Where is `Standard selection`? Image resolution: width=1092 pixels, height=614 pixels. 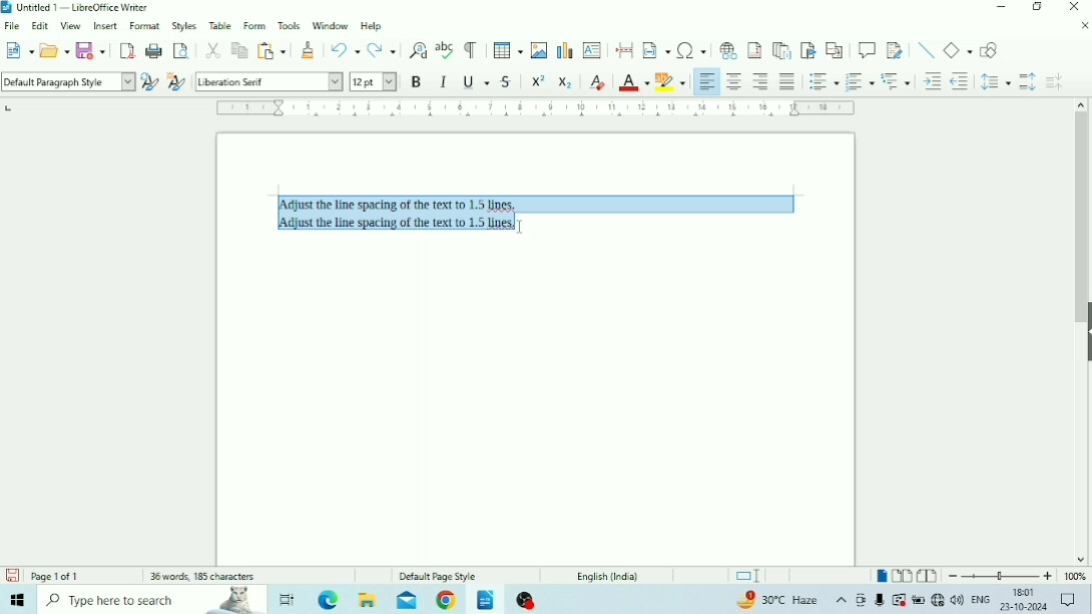 Standard selection is located at coordinates (751, 576).